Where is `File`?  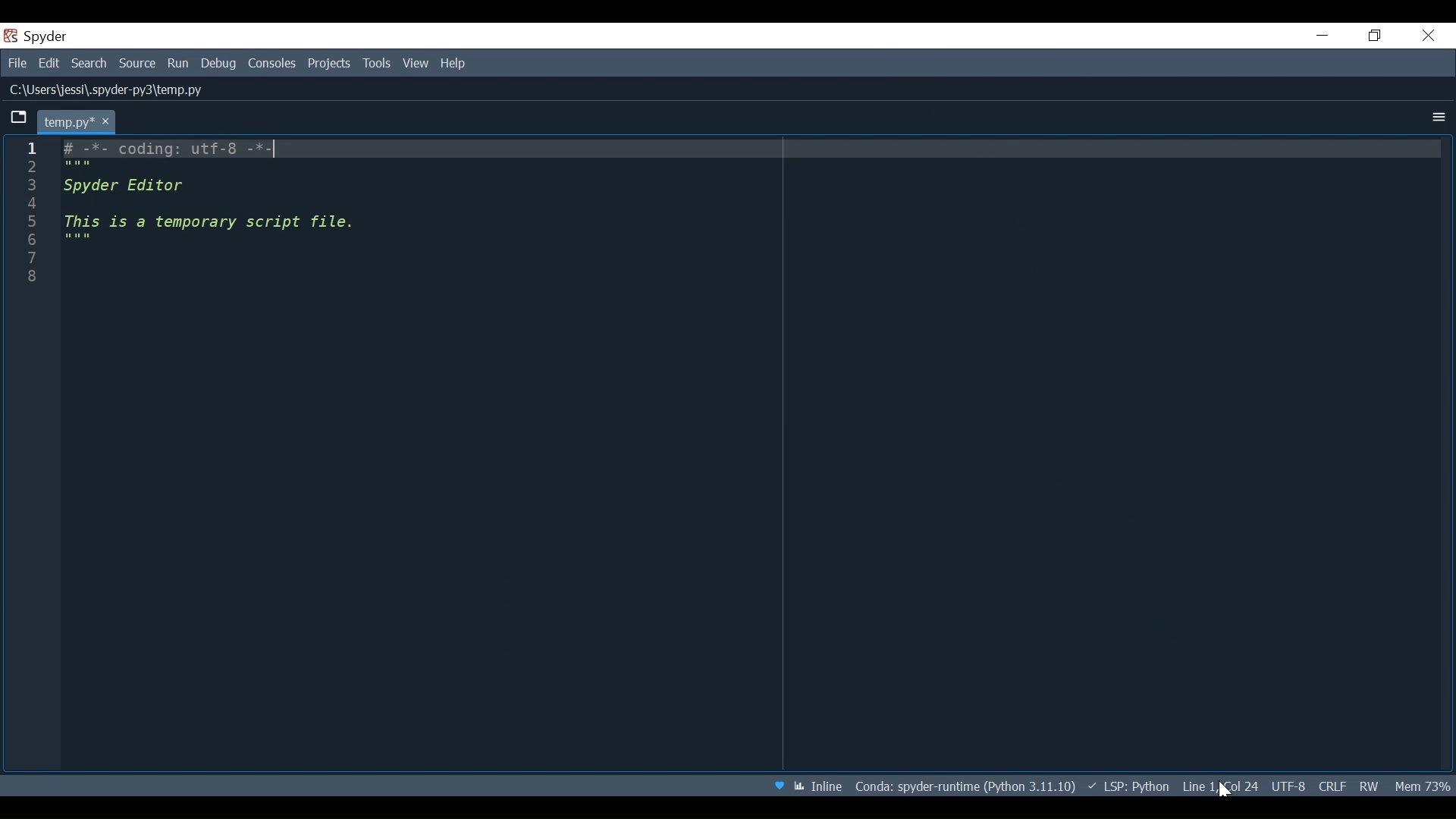 File is located at coordinates (17, 63).